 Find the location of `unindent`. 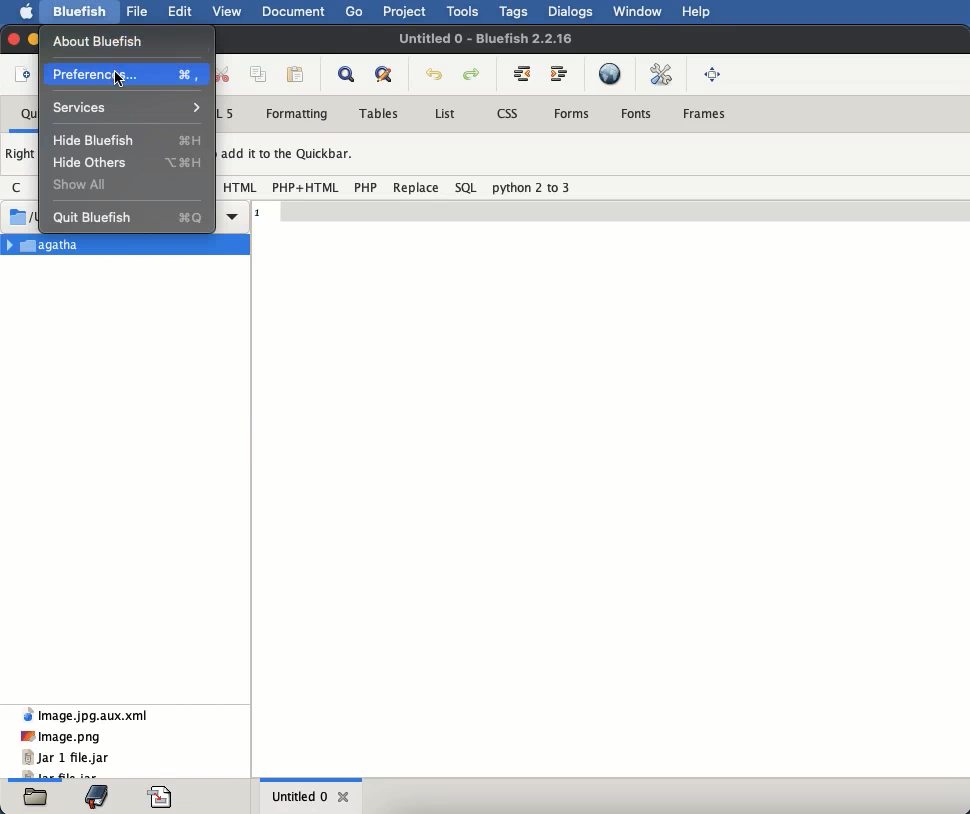

unindent is located at coordinates (521, 72).